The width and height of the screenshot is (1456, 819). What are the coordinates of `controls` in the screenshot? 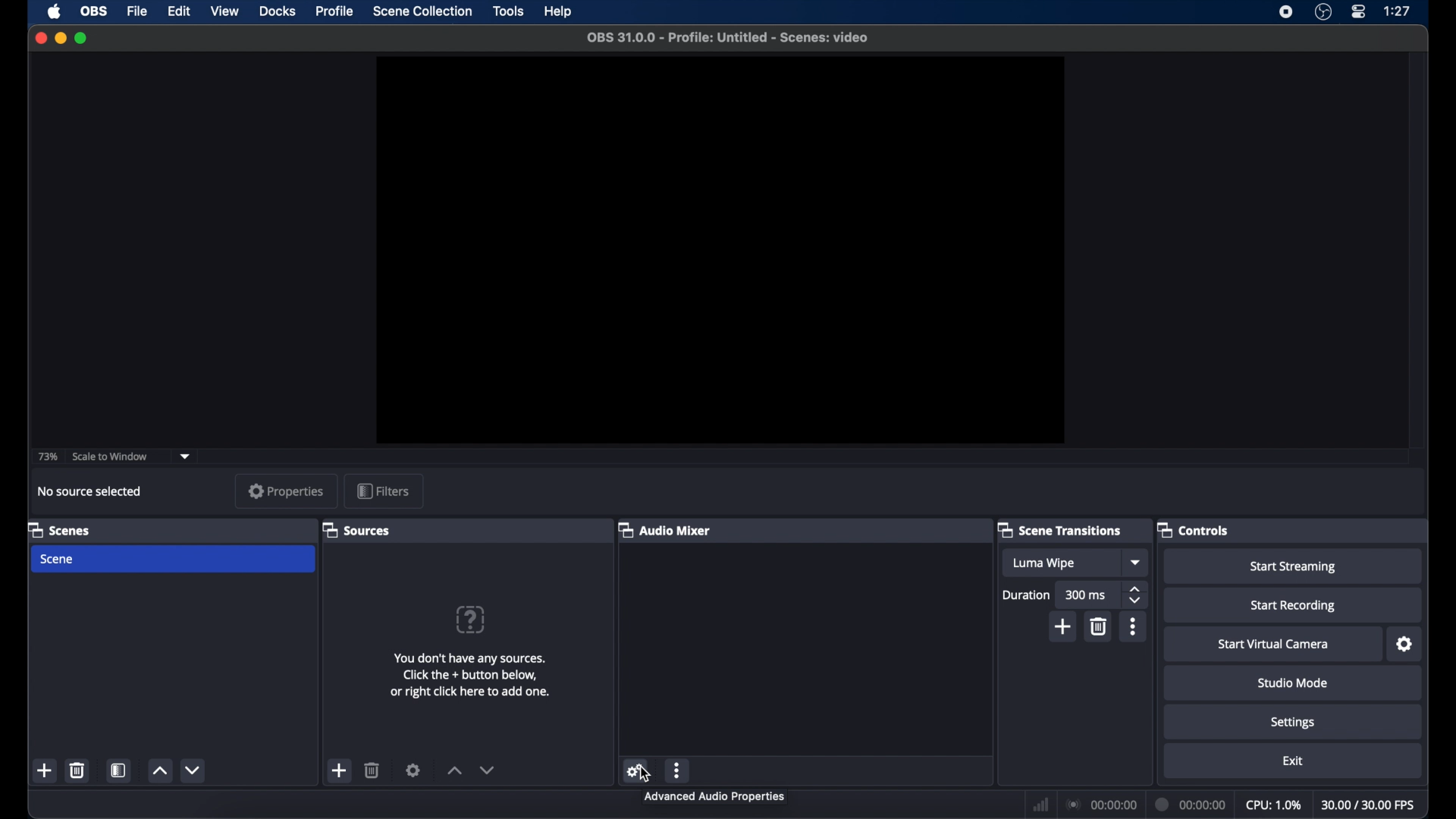 It's located at (1192, 529).